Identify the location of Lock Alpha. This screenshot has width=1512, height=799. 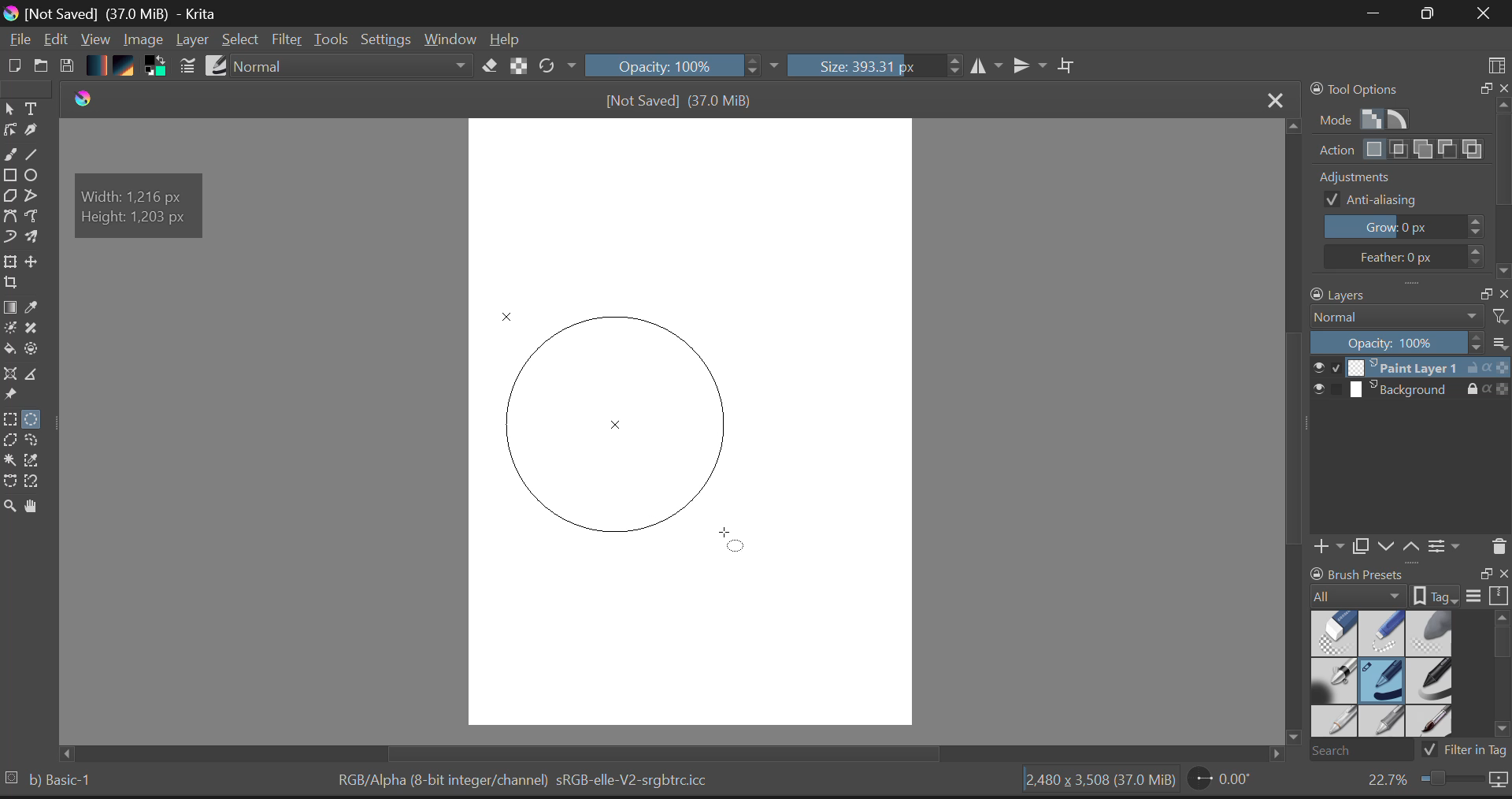
(516, 67).